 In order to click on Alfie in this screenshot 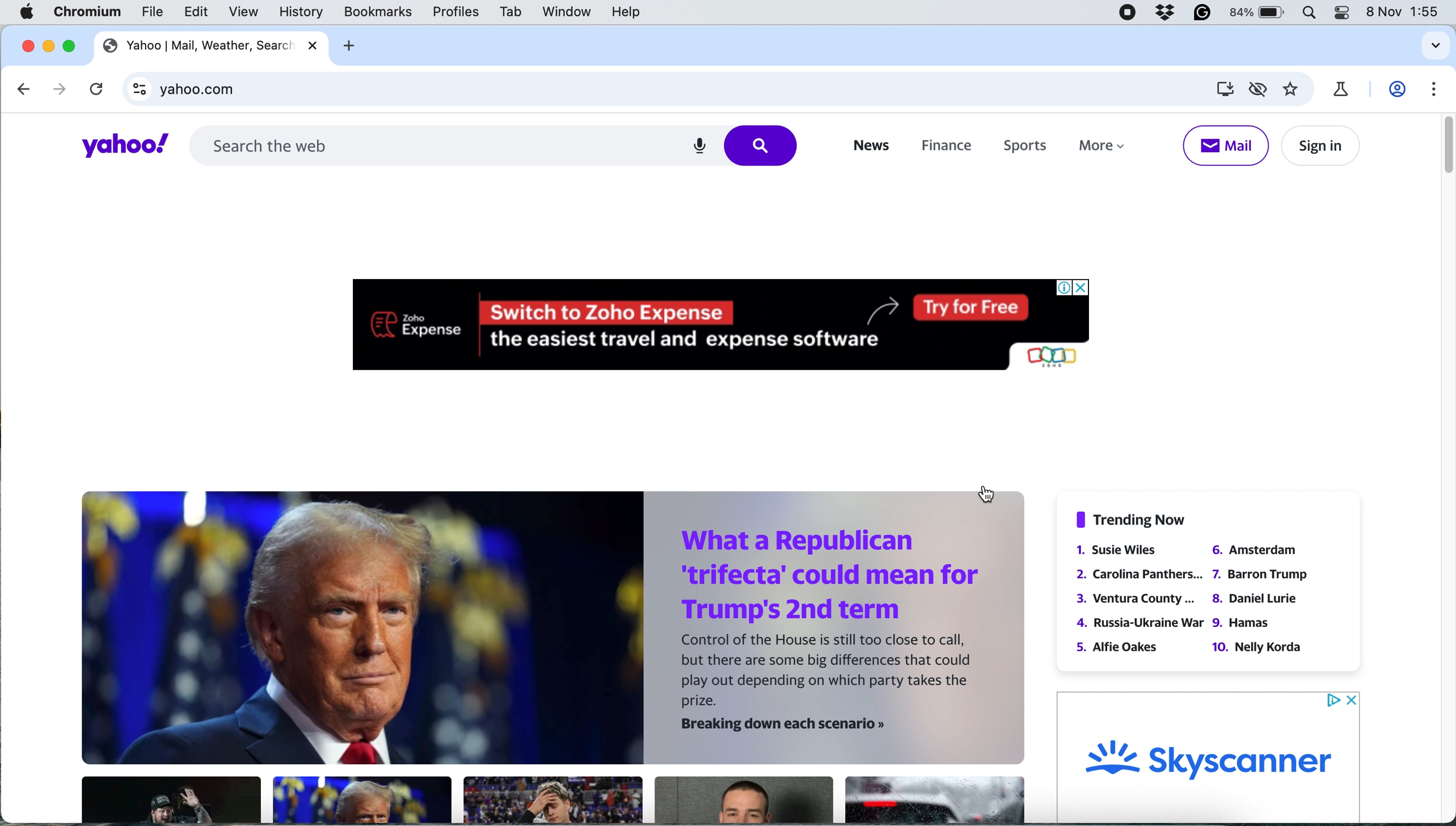, I will do `click(1119, 646)`.